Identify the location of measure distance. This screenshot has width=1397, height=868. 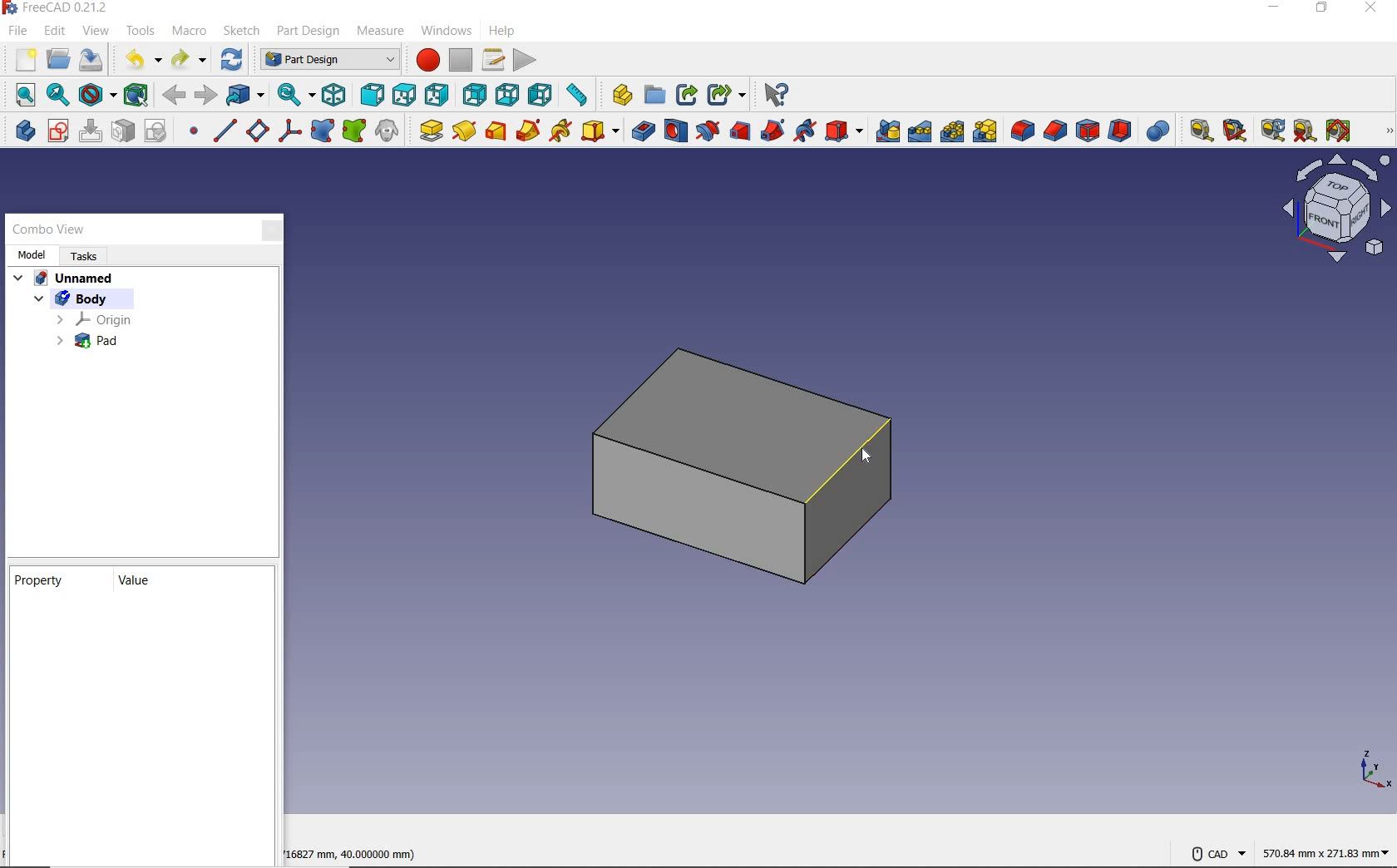
(580, 96).